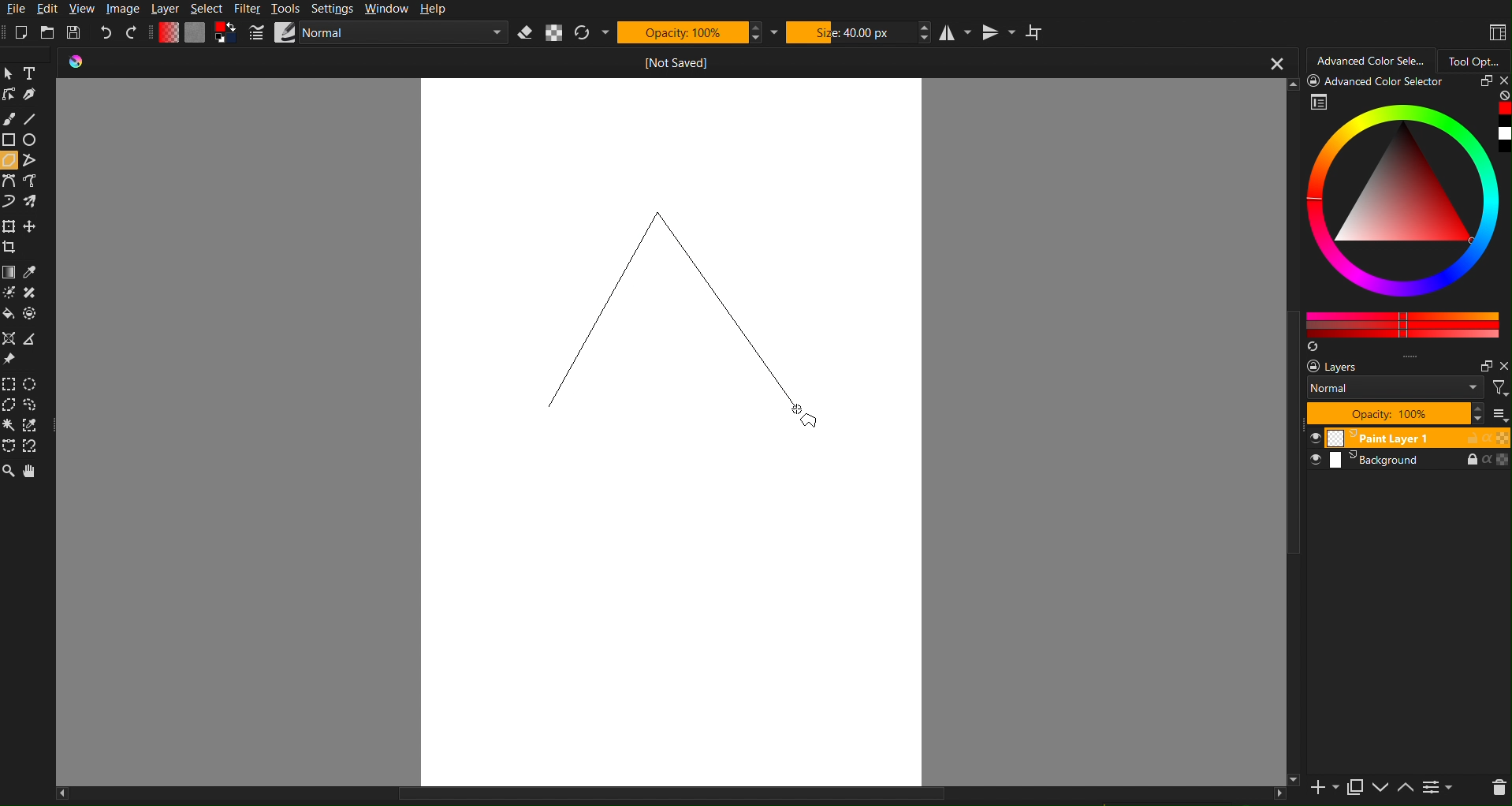 This screenshot has width=1512, height=806. I want to click on background, so click(1410, 464).